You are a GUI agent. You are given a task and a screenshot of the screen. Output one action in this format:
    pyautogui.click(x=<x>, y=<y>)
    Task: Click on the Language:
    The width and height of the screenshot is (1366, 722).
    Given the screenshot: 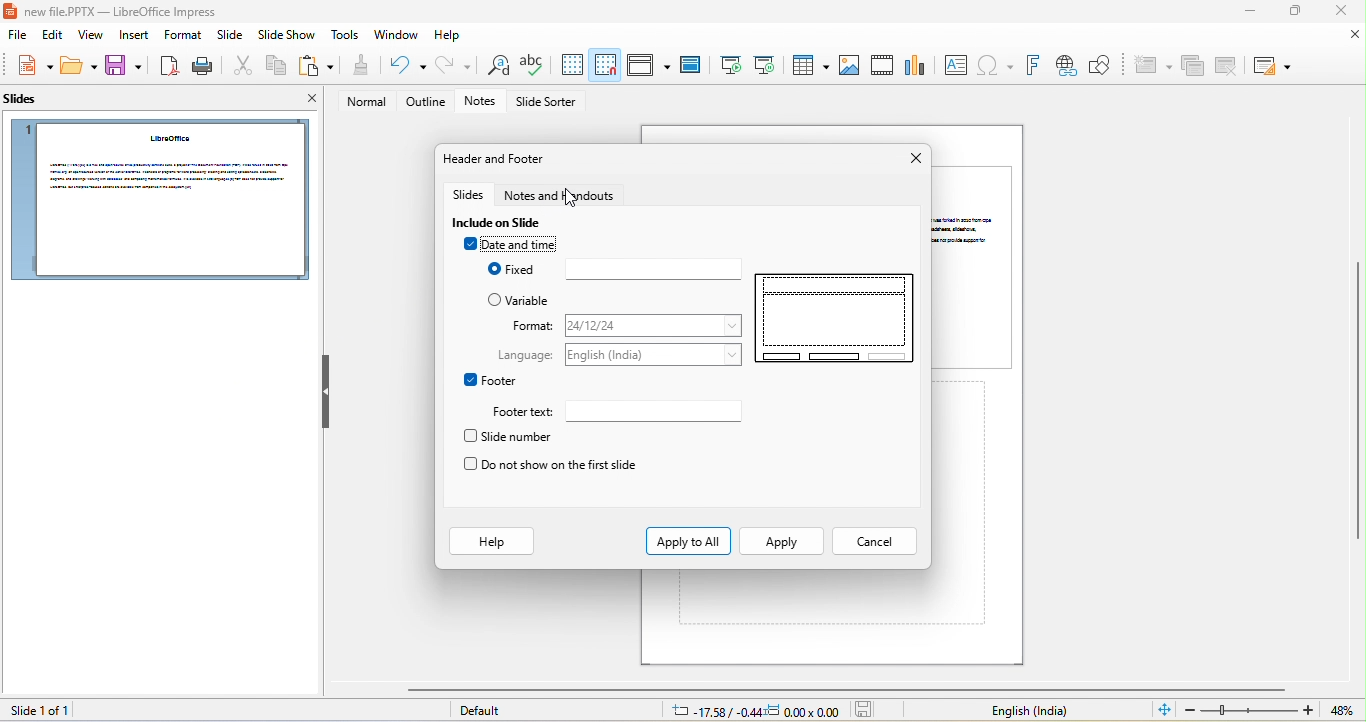 What is the action you would take?
    pyautogui.click(x=523, y=355)
    